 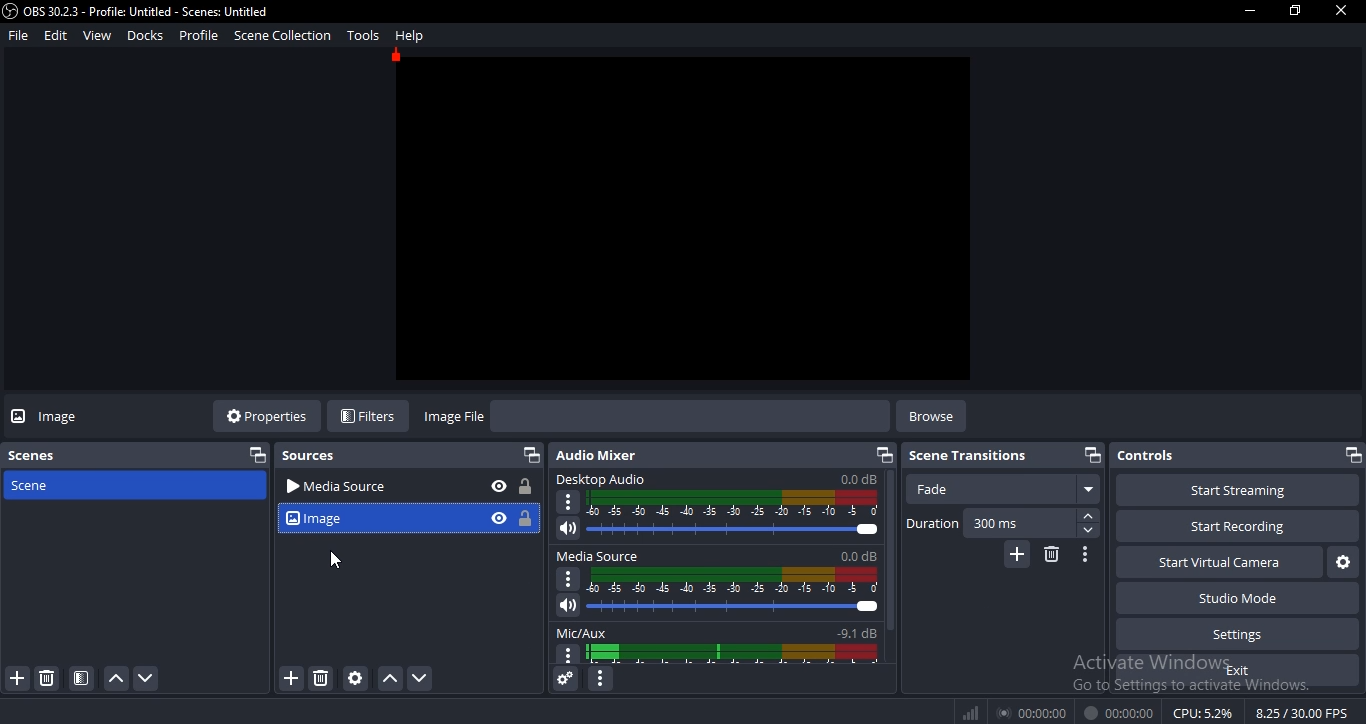 I want to click on desktop audio, so click(x=718, y=479).